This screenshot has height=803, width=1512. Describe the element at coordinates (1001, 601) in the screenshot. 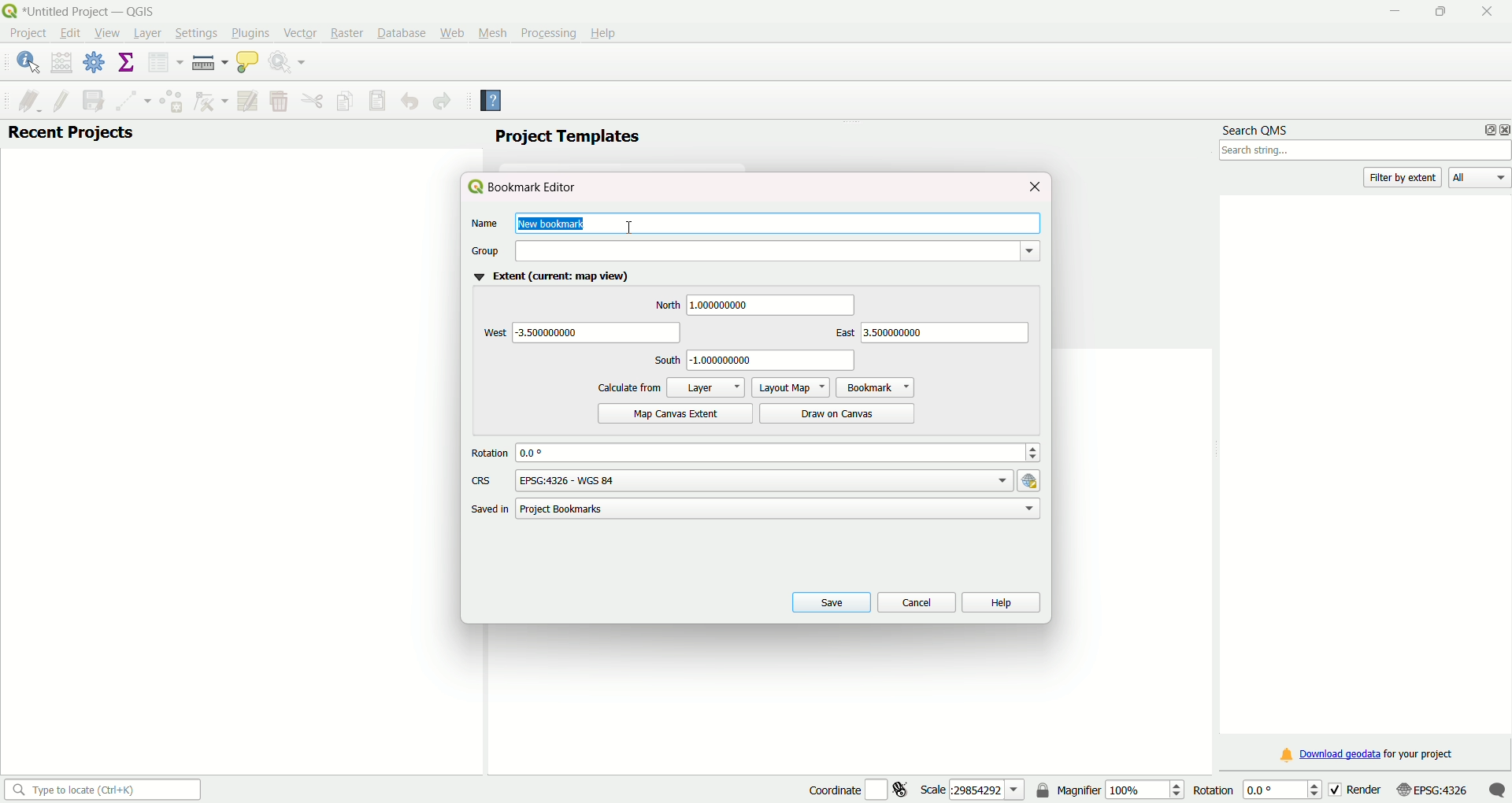

I see `help` at that location.